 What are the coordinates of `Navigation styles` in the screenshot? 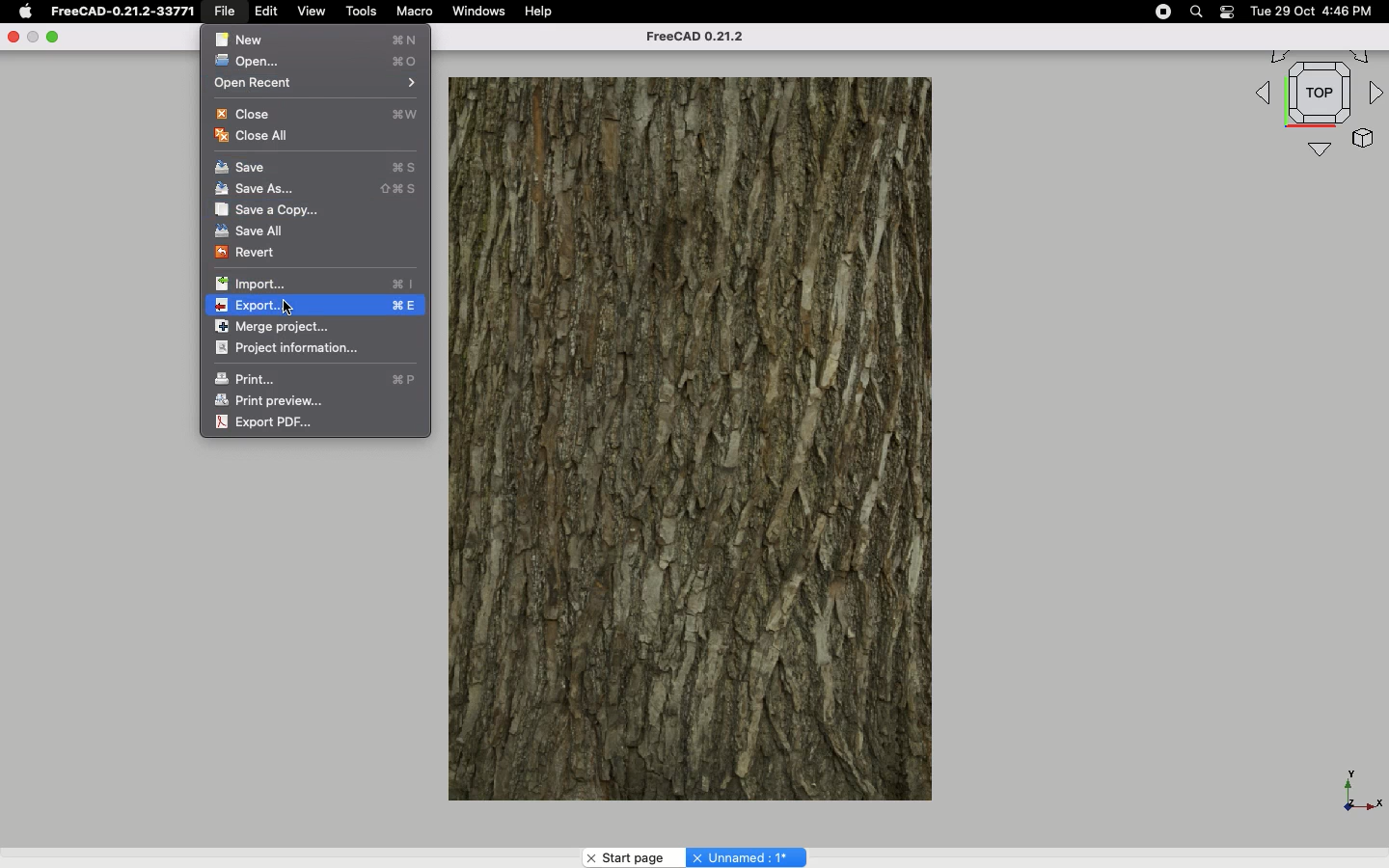 It's located at (1316, 103).